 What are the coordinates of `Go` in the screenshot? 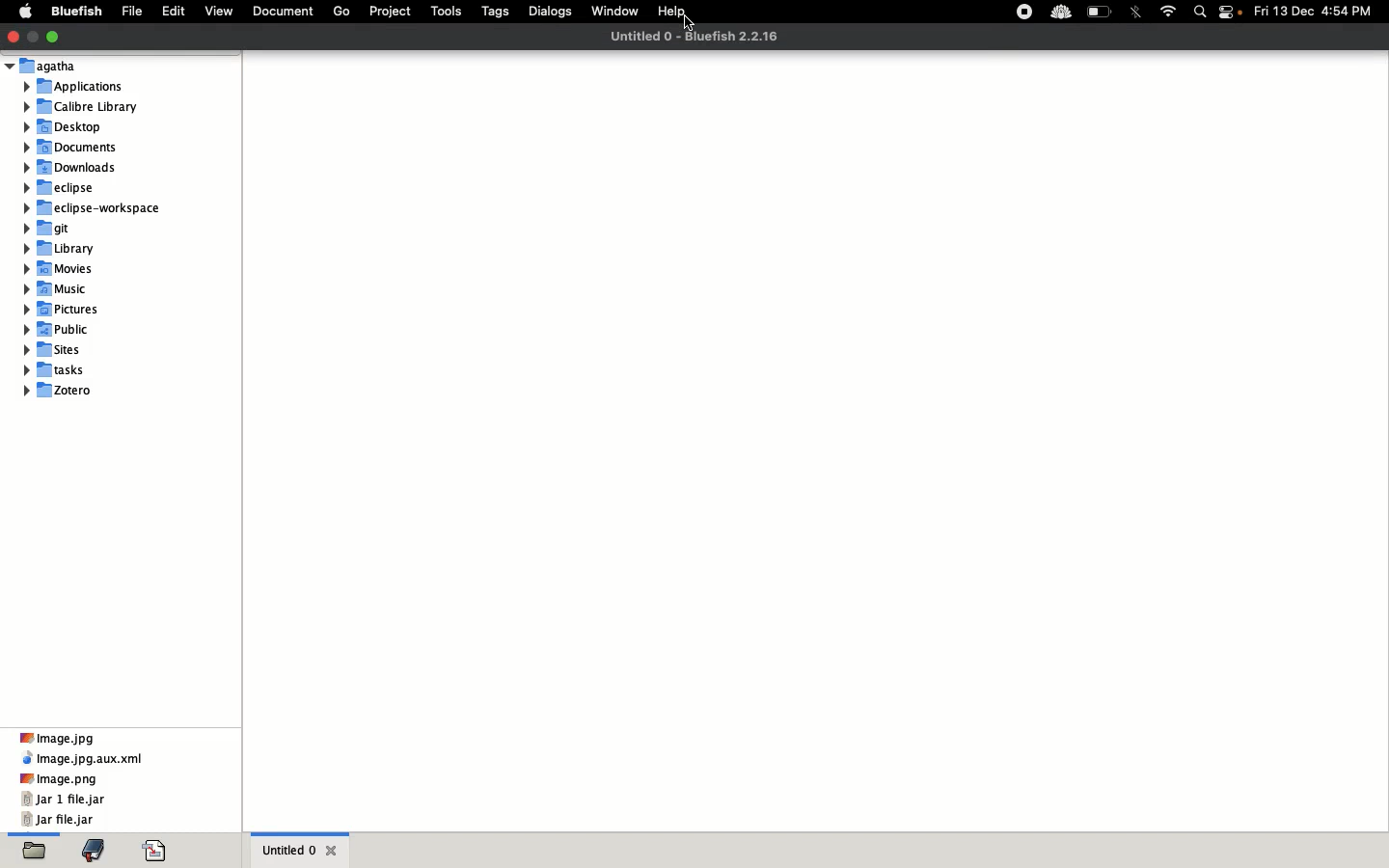 It's located at (341, 12).